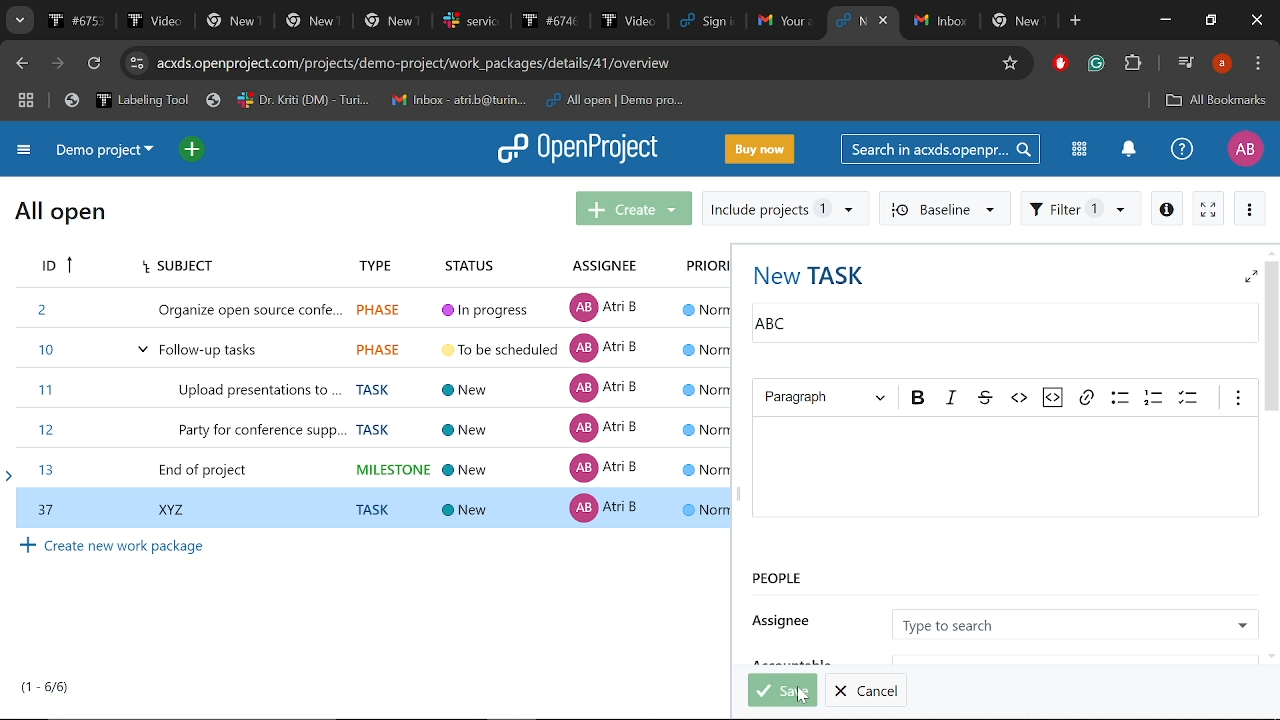  Describe the element at coordinates (1250, 208) in the screenshot. I see `More actions` at that location.